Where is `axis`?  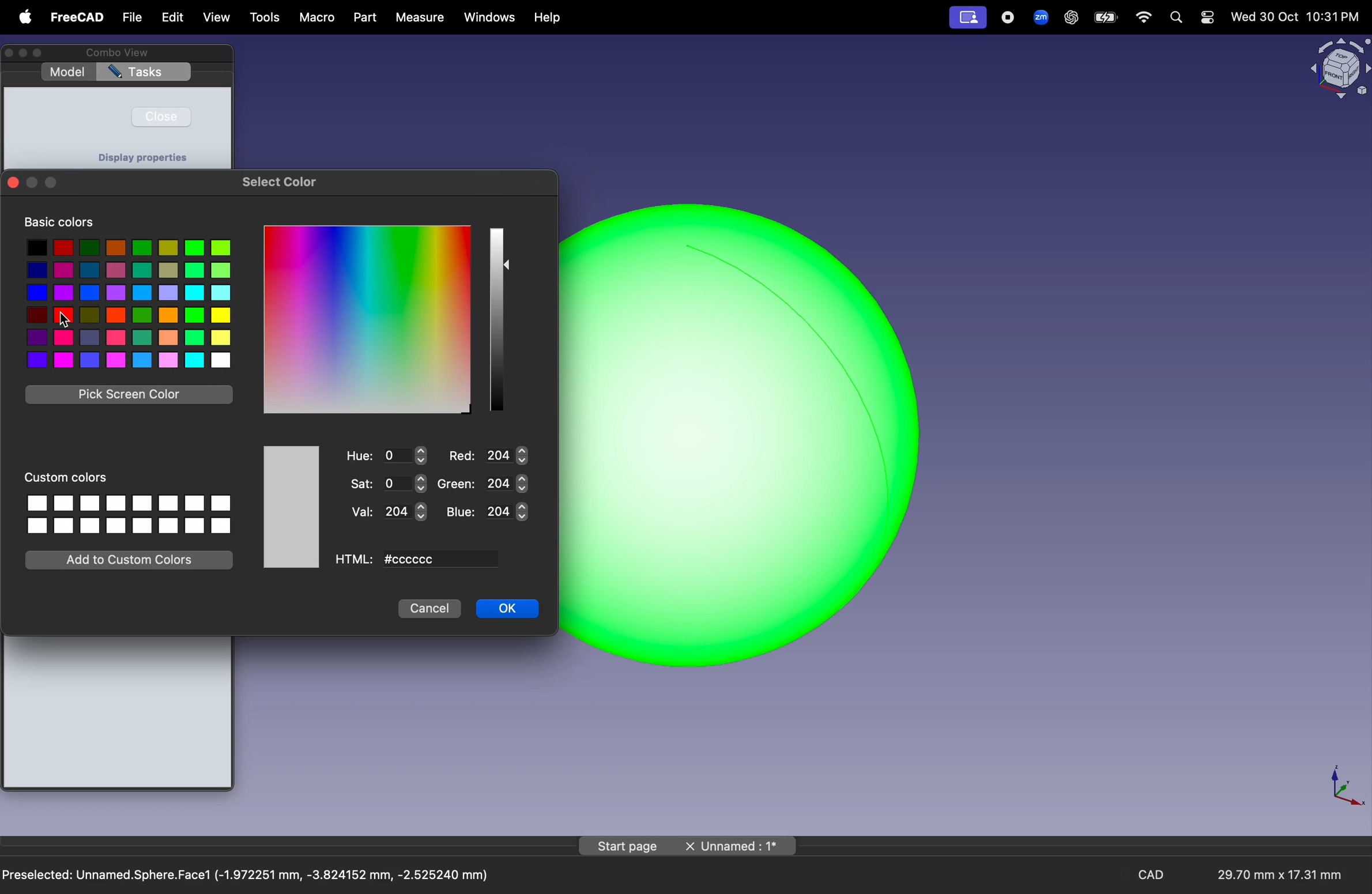 axis is located at coordinates (1344, 784).